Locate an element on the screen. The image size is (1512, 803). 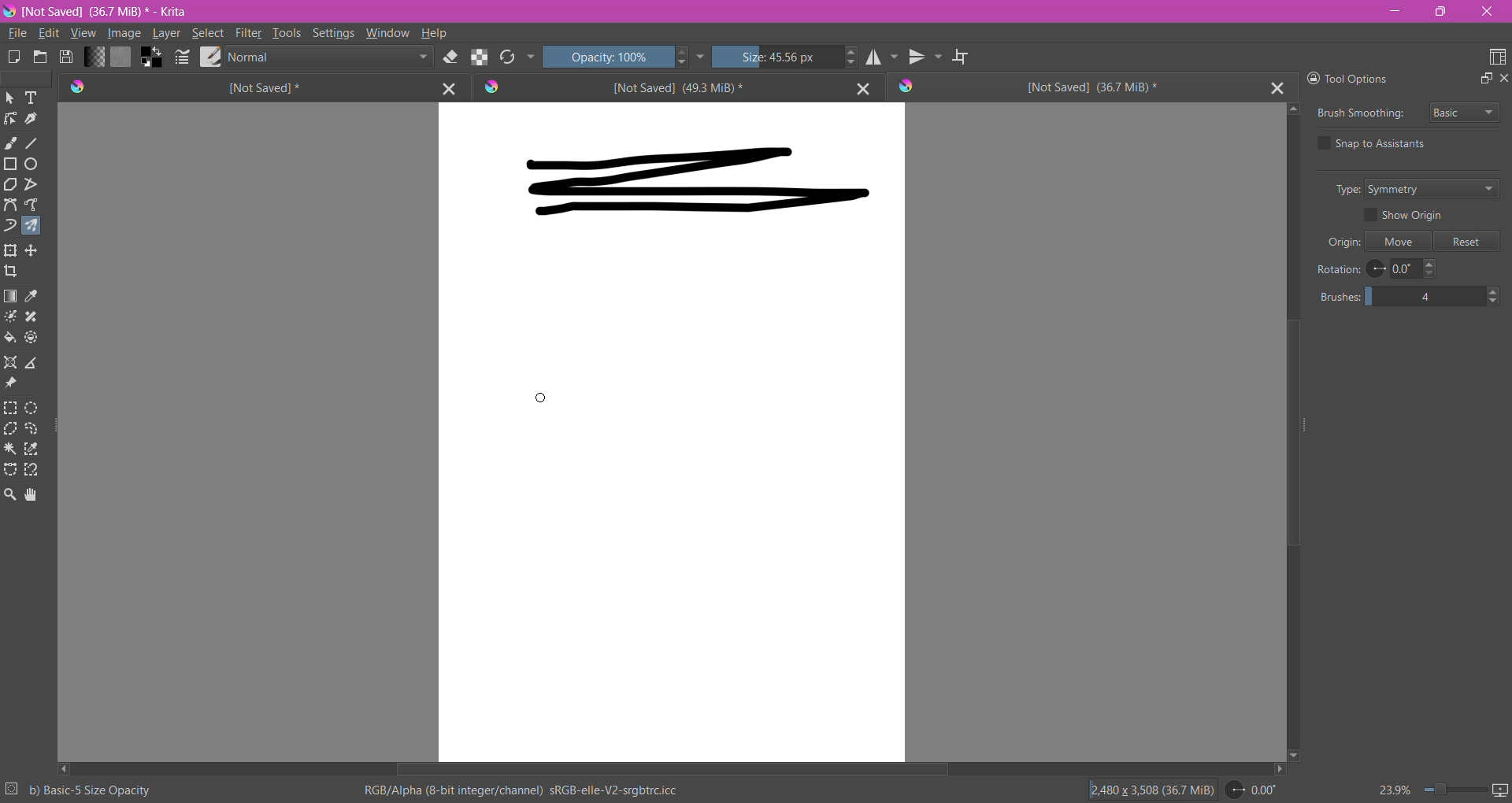
Close Tab is located at coordinates (1278, 87).